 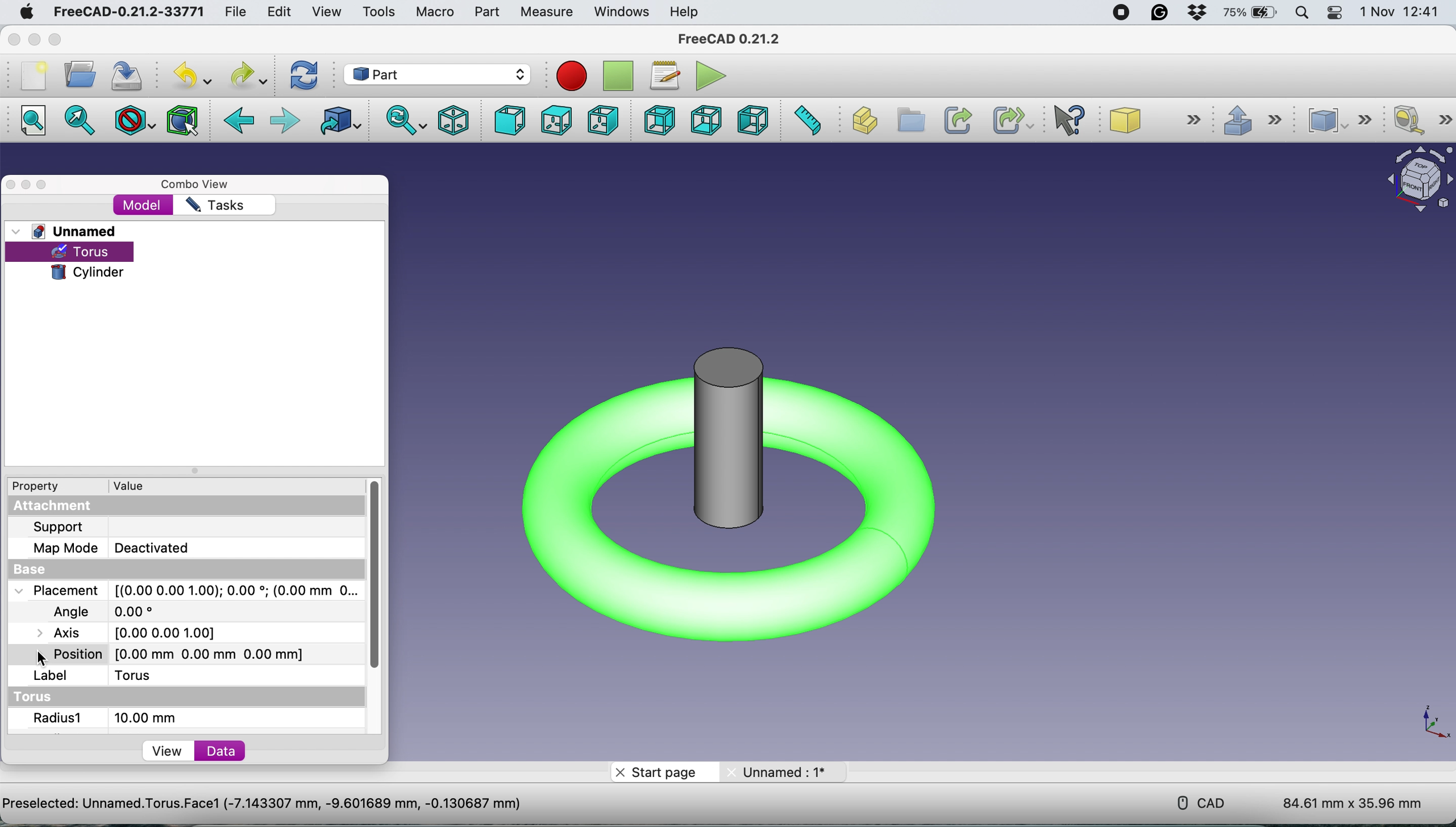 I want to click on left, so click(x=751, y=122).